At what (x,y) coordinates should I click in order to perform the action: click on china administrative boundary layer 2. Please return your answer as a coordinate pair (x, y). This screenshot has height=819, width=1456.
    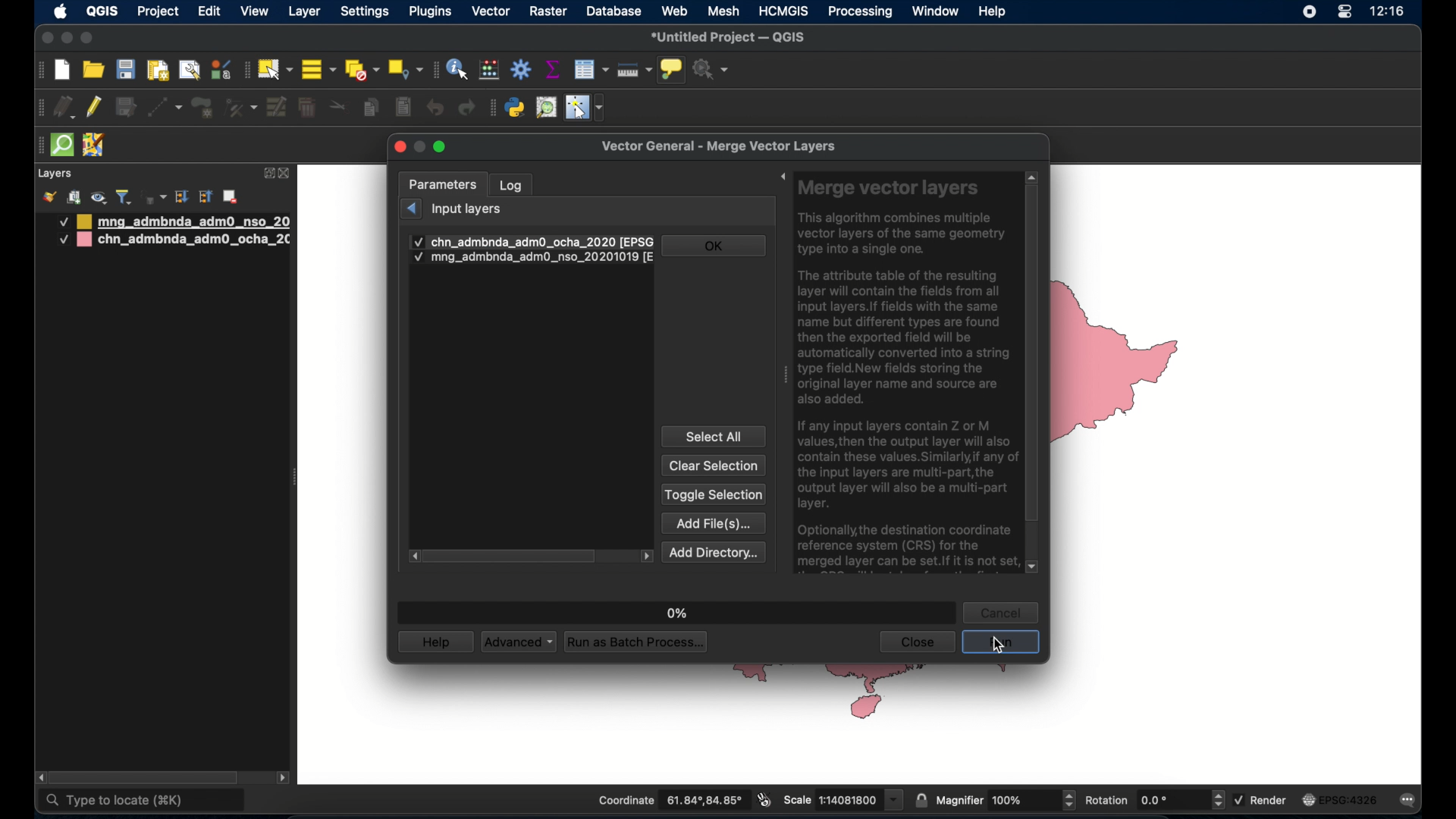
    Looking at the image, I should click on (174, 241).